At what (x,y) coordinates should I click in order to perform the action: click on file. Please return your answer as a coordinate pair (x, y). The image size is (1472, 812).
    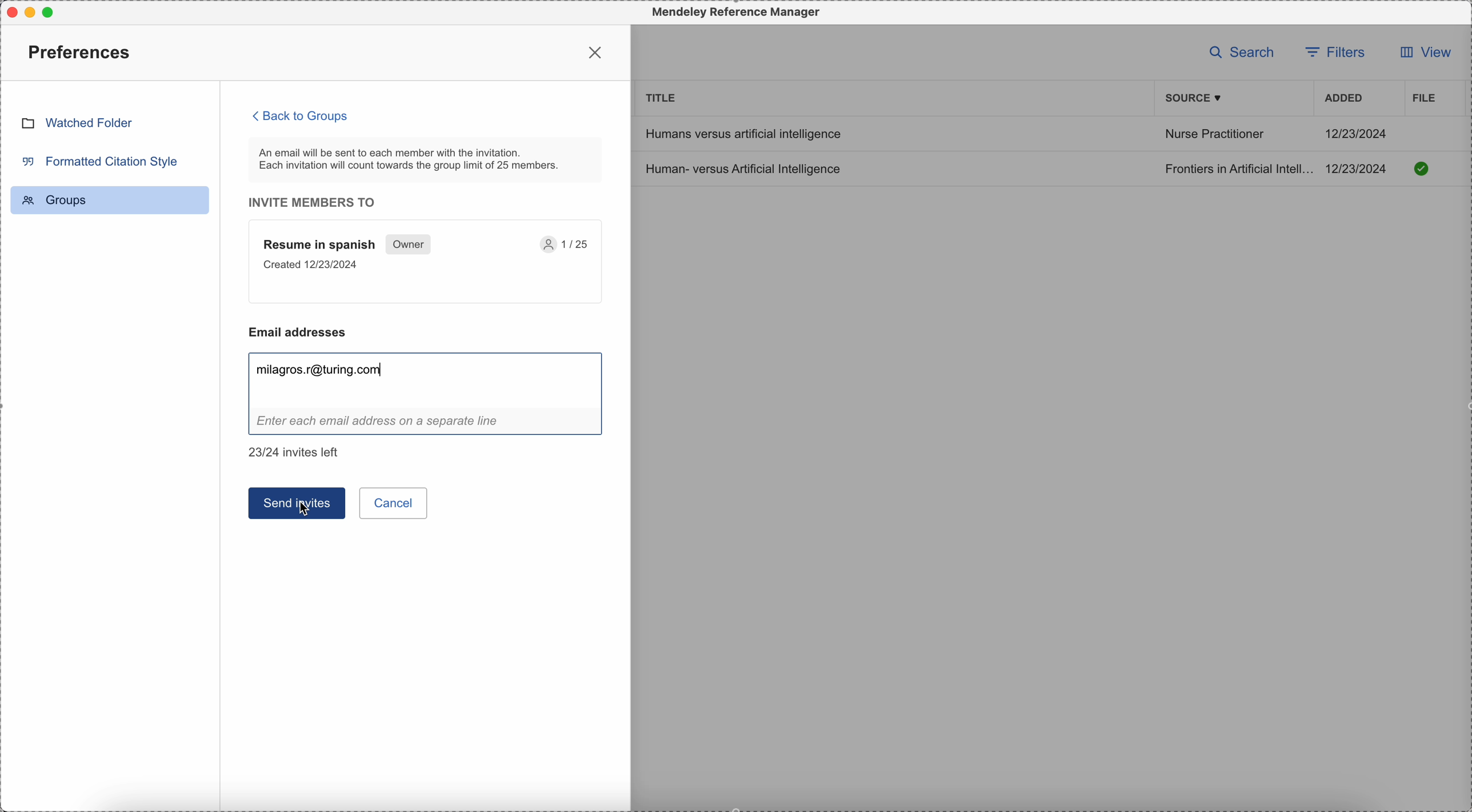
    Looking at the image, I should click on (1422, 98).